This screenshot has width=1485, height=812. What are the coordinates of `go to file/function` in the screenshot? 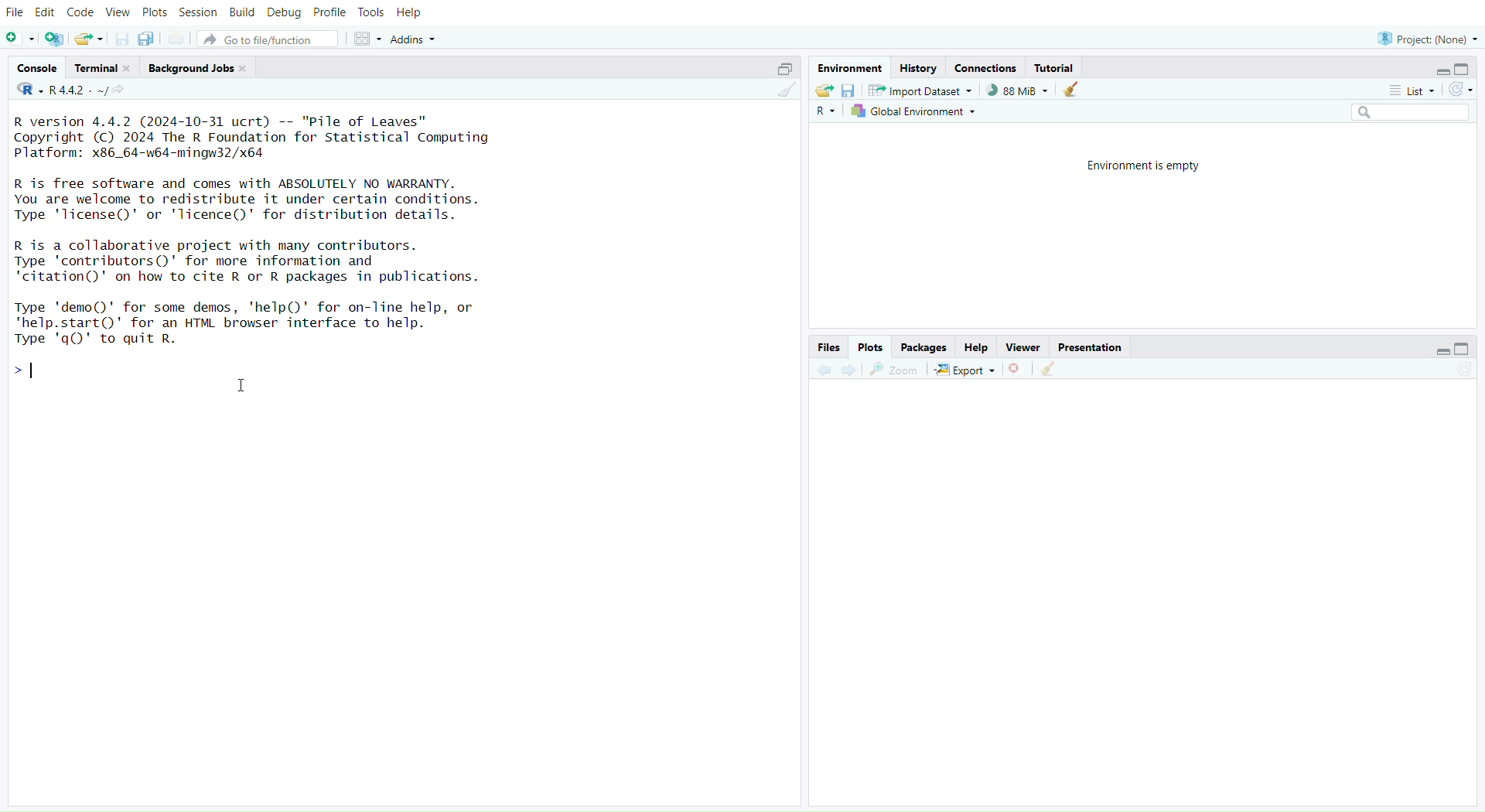 It's located at (268, 39).